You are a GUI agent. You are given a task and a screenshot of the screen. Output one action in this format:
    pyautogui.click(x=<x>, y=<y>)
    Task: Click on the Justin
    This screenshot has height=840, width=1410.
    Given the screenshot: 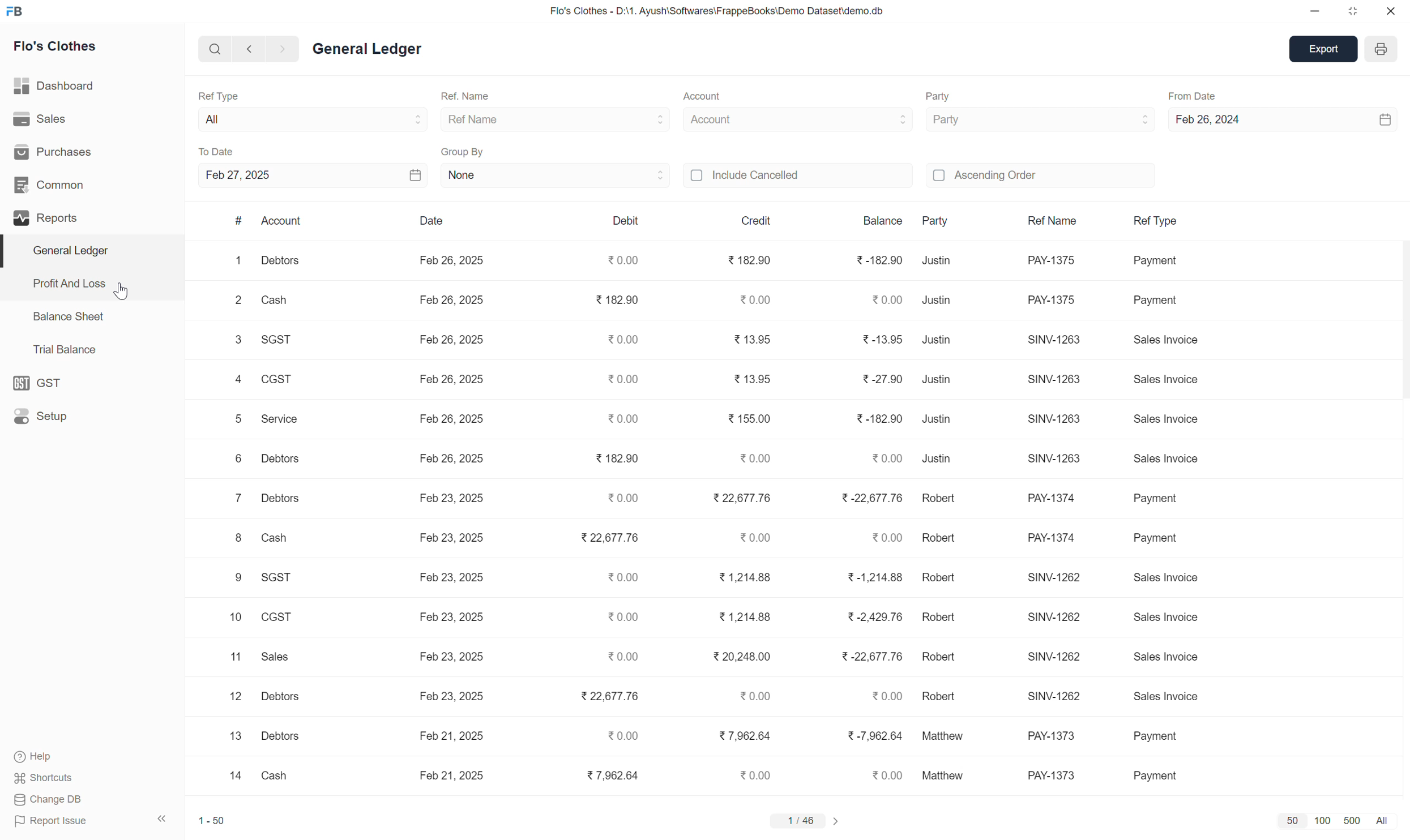 What is the action you would take?
    pyautogui.click(x=938, y=262)
    